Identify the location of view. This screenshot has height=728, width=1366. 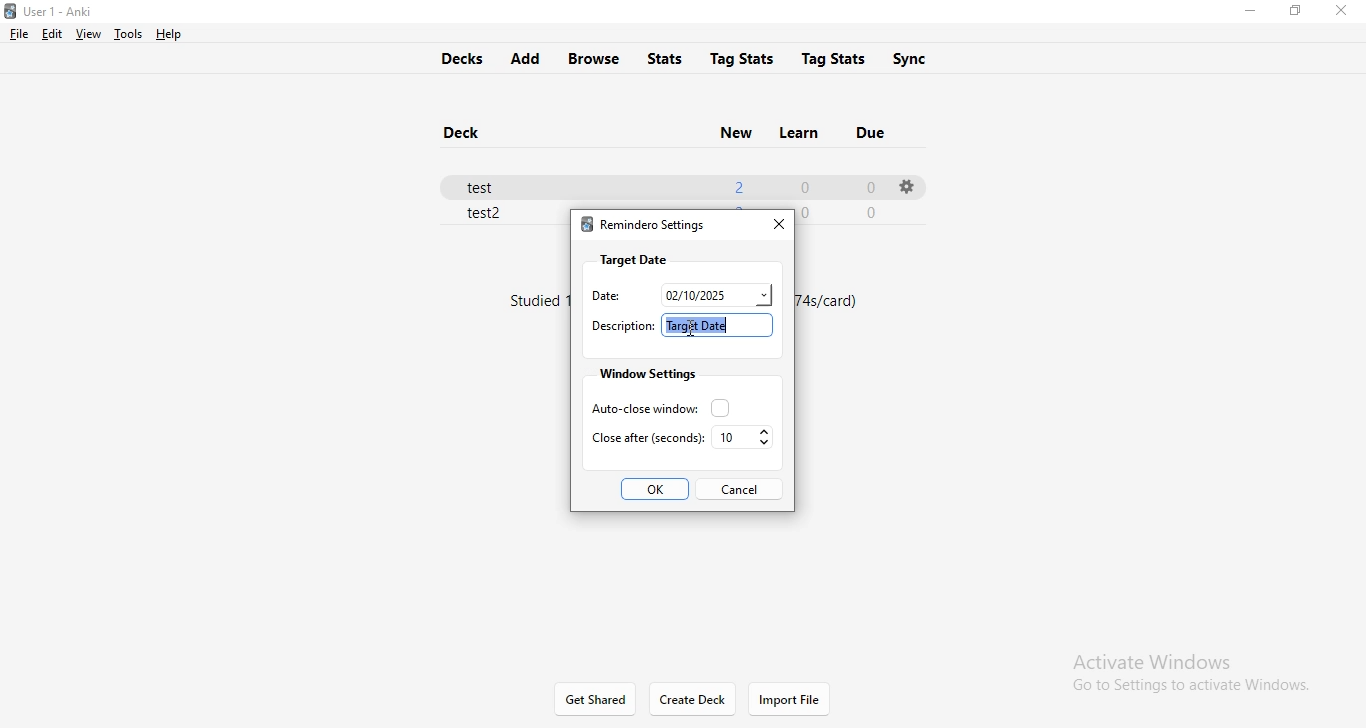
(86, 34).